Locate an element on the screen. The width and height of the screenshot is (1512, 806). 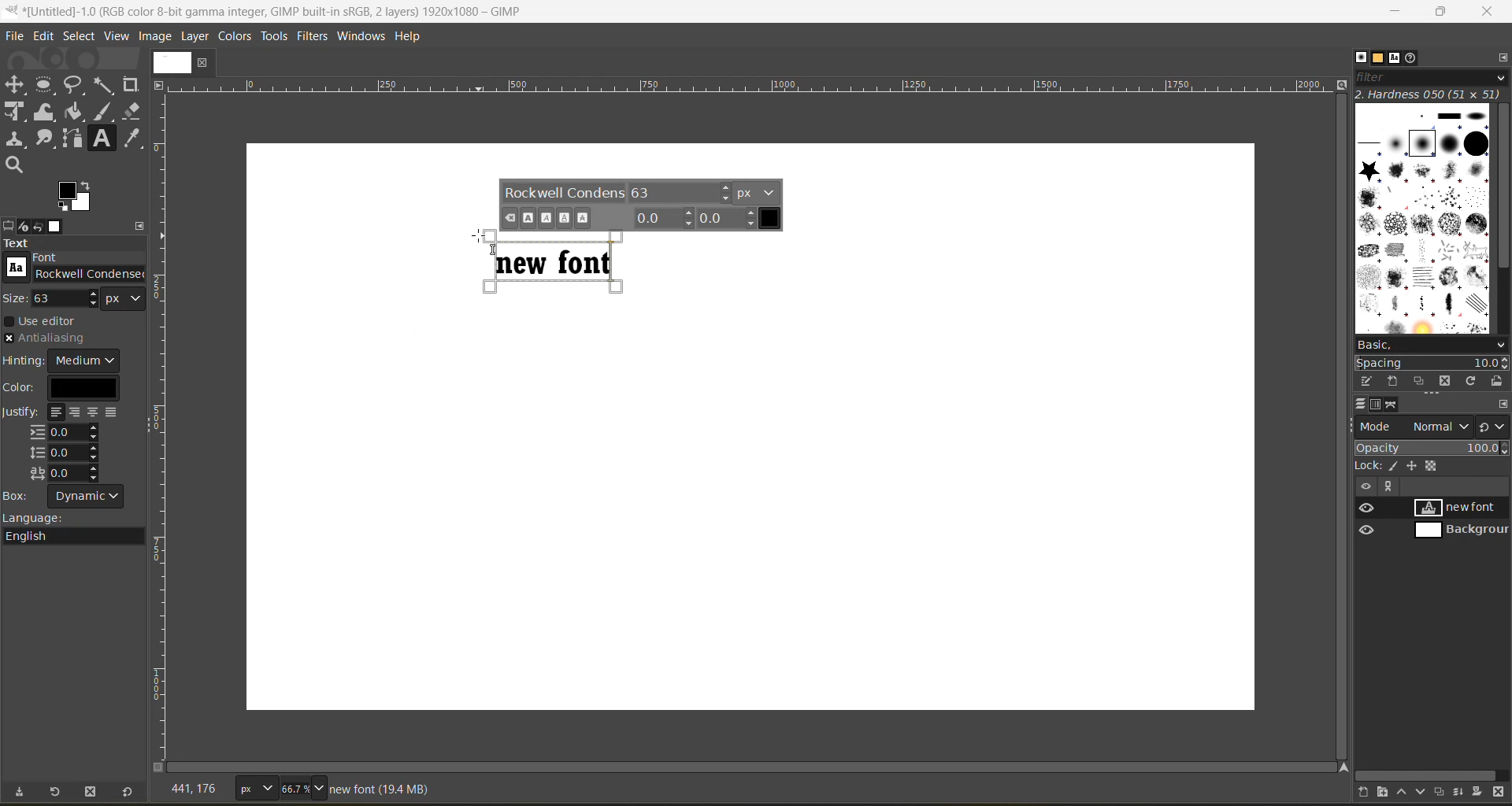
hardness is located at coordinates (1430, 94).